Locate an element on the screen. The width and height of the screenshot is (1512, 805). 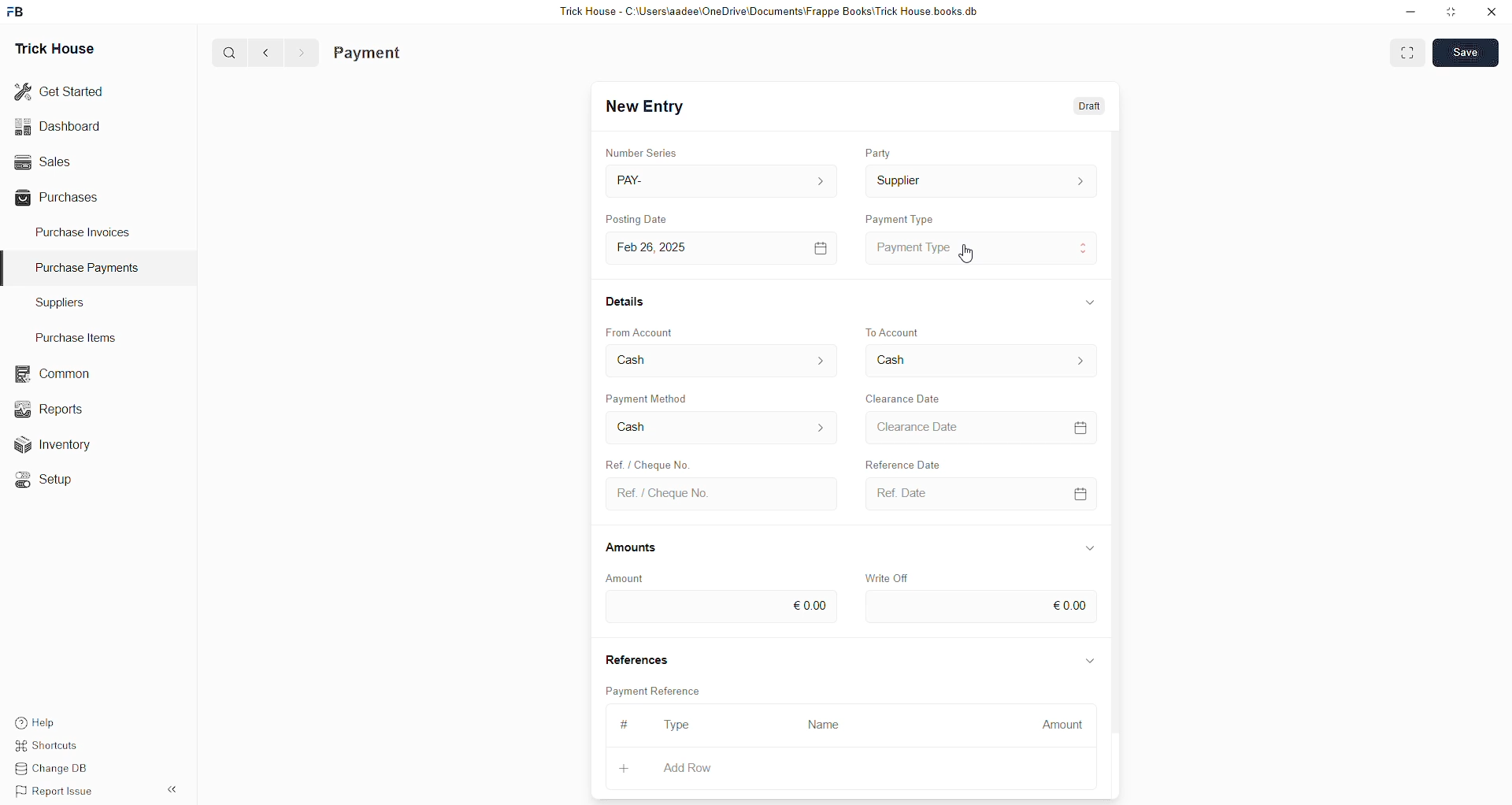
From Account is located at coordinates (642, 331).